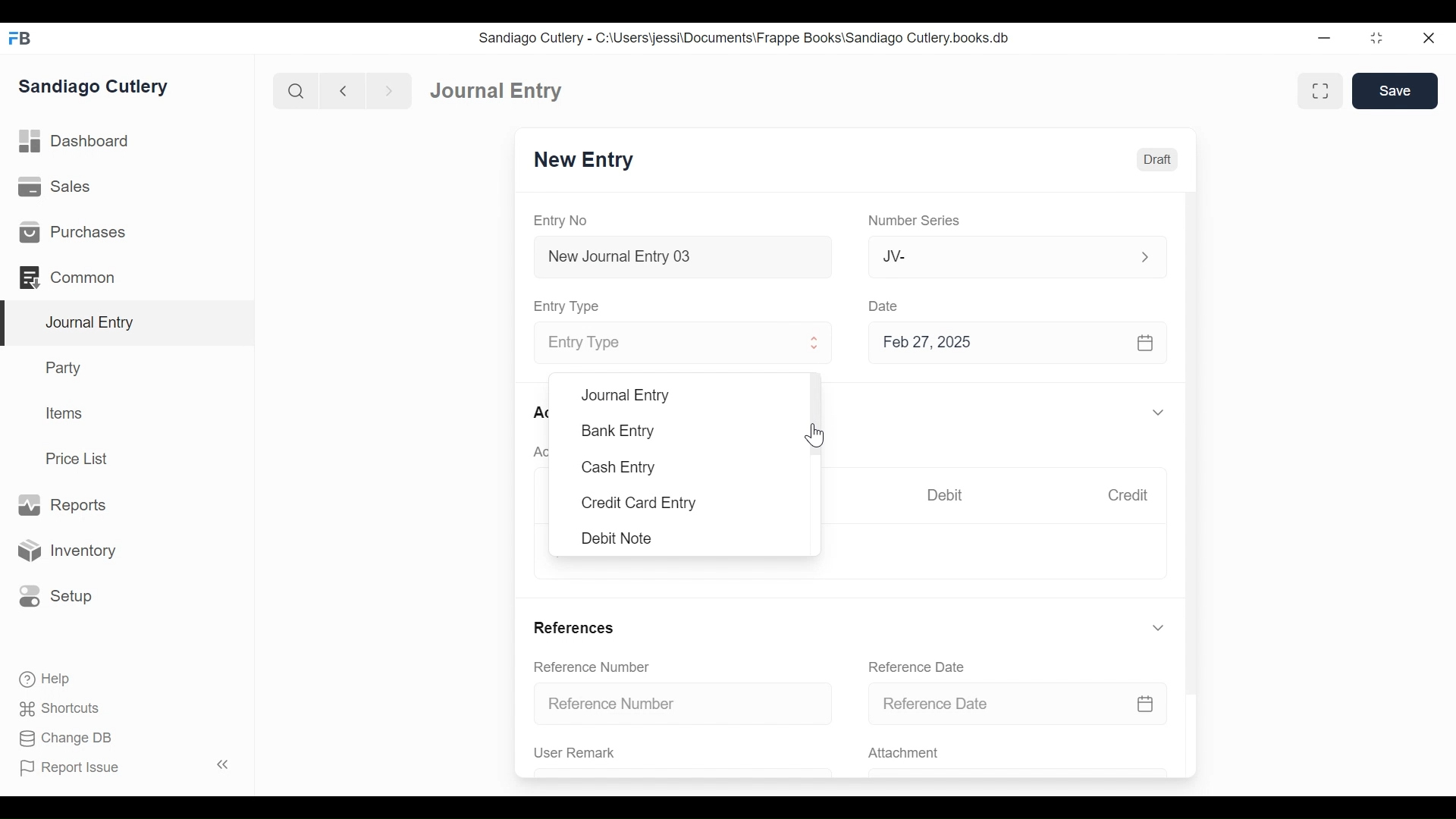 This screenshot has height=819, width=1456. I want to click on Entry No, so click(560, 221).